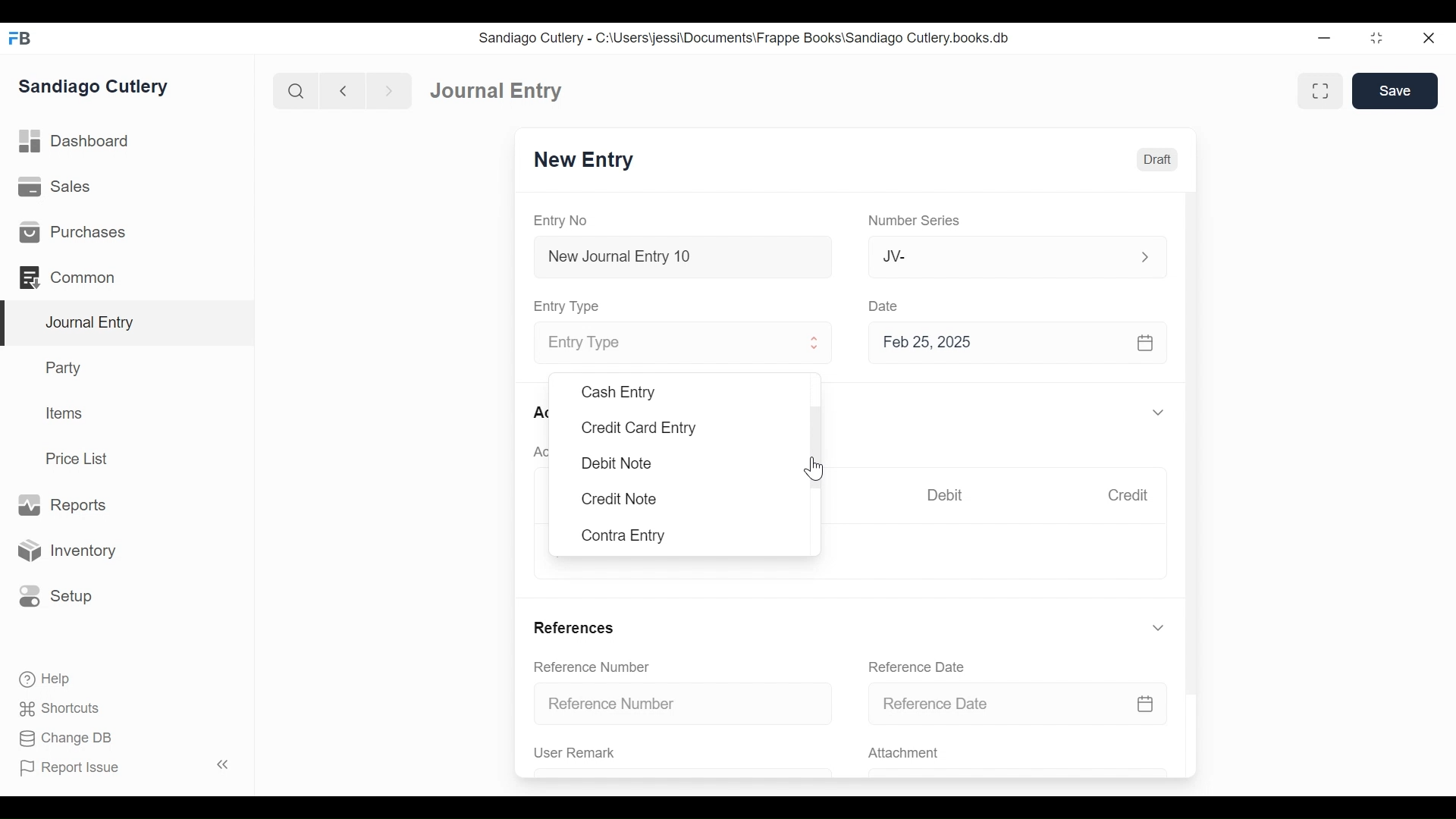 The width and height of the screenshot is (1456, 819). Describe the element at coordinates (1395, 91) in the screenshot. I see `Save` at that location.